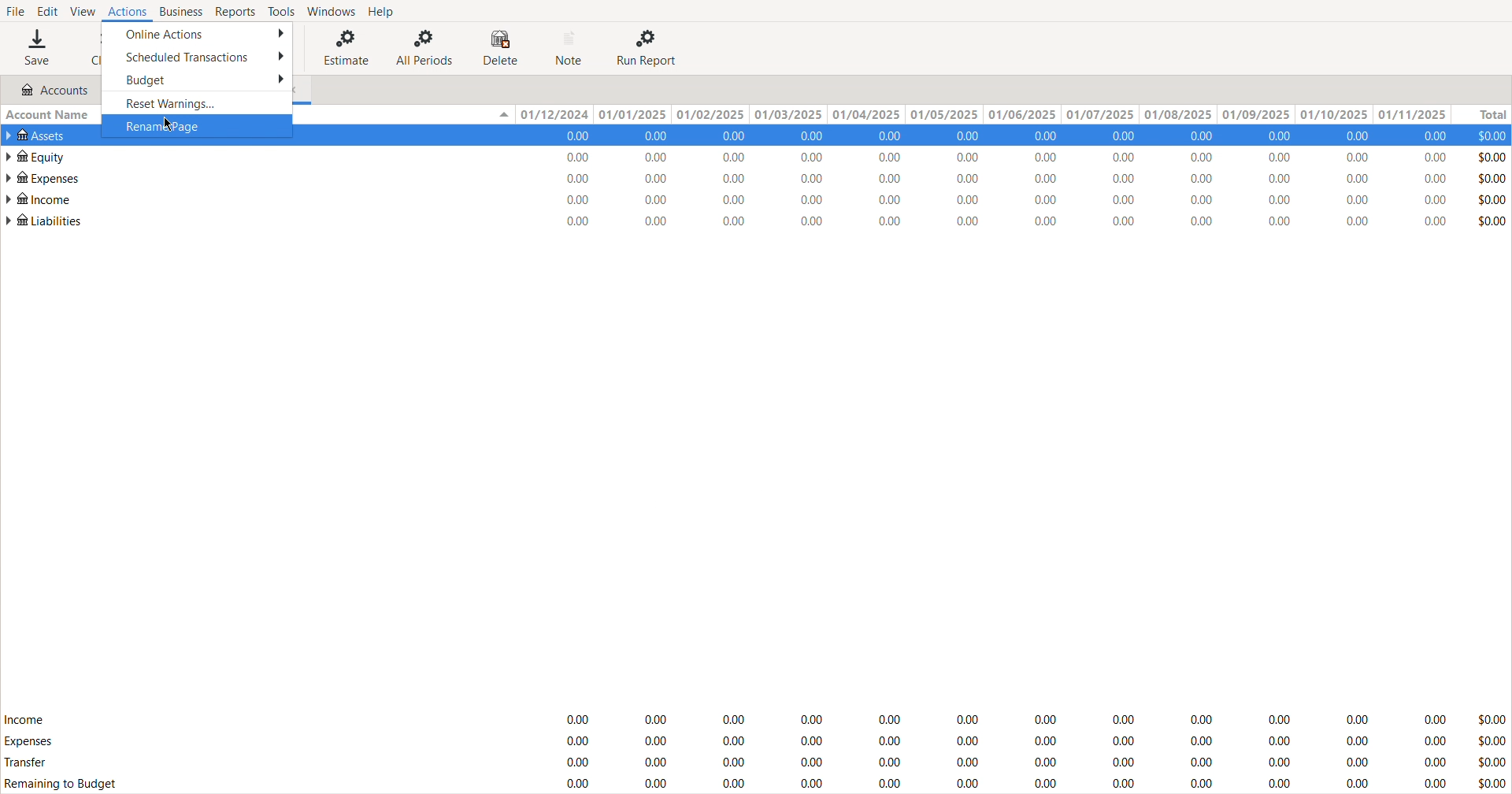 The image size is (1512, 794). What do you see at coordinates (195, 124) in the screenshot?
I see `Rename Project` at bounding box center [195, 124].